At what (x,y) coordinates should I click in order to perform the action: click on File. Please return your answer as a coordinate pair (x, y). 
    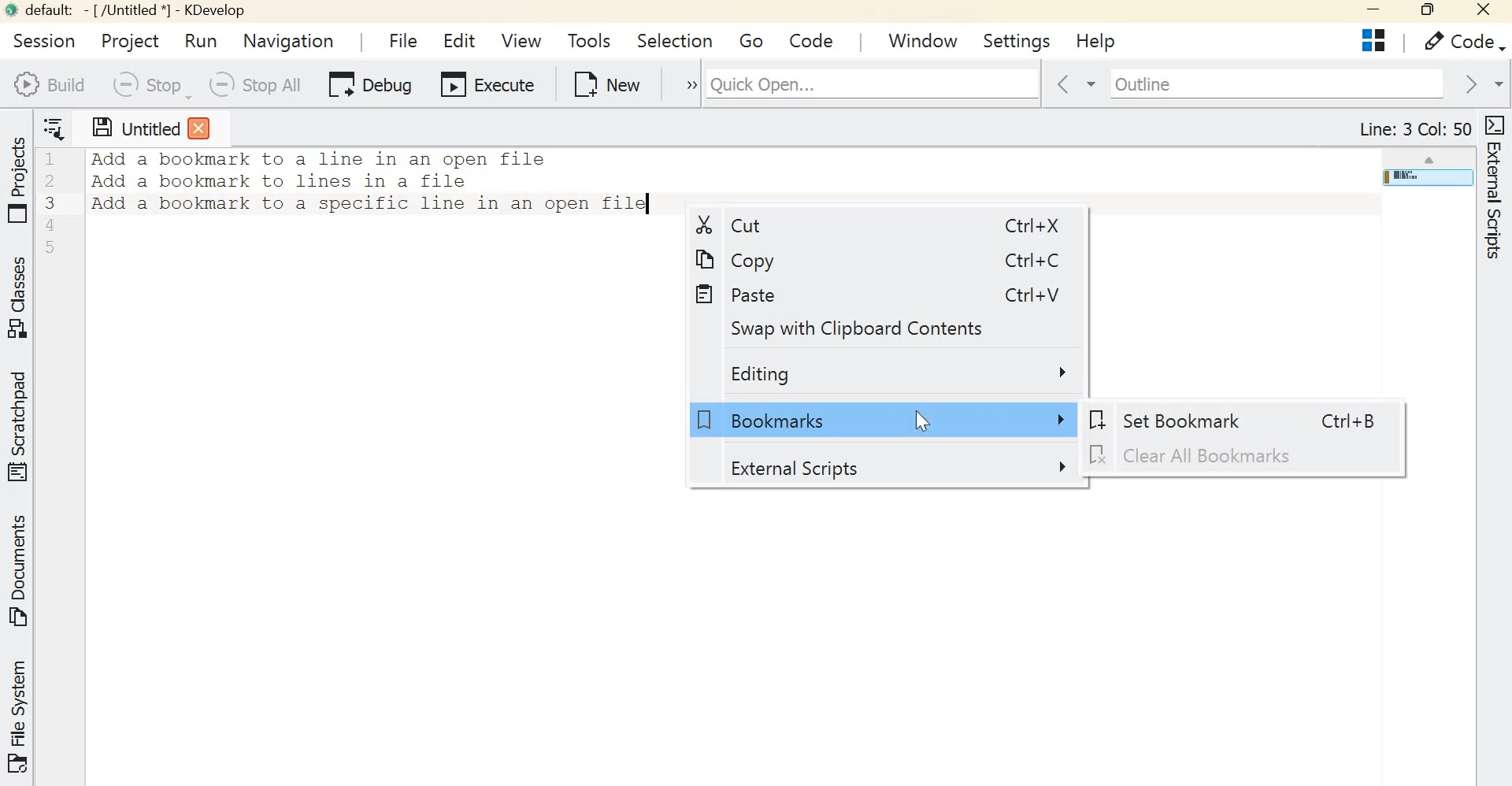
    Looking at the image, I should click on (398, 36).